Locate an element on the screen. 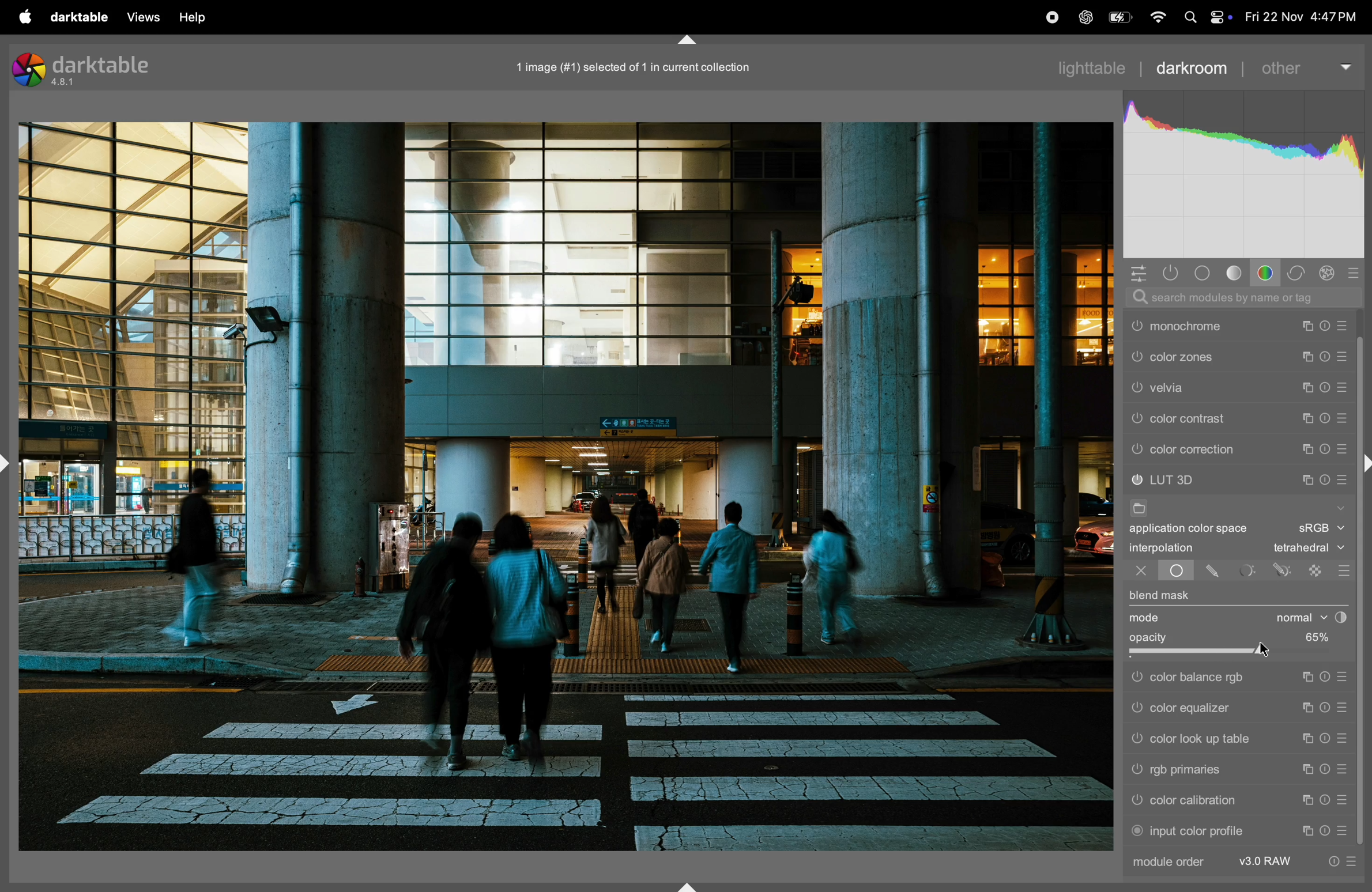 The width and height of the screenshot is (1372, 892). chatgpt is located at coordinates (1081, 16).